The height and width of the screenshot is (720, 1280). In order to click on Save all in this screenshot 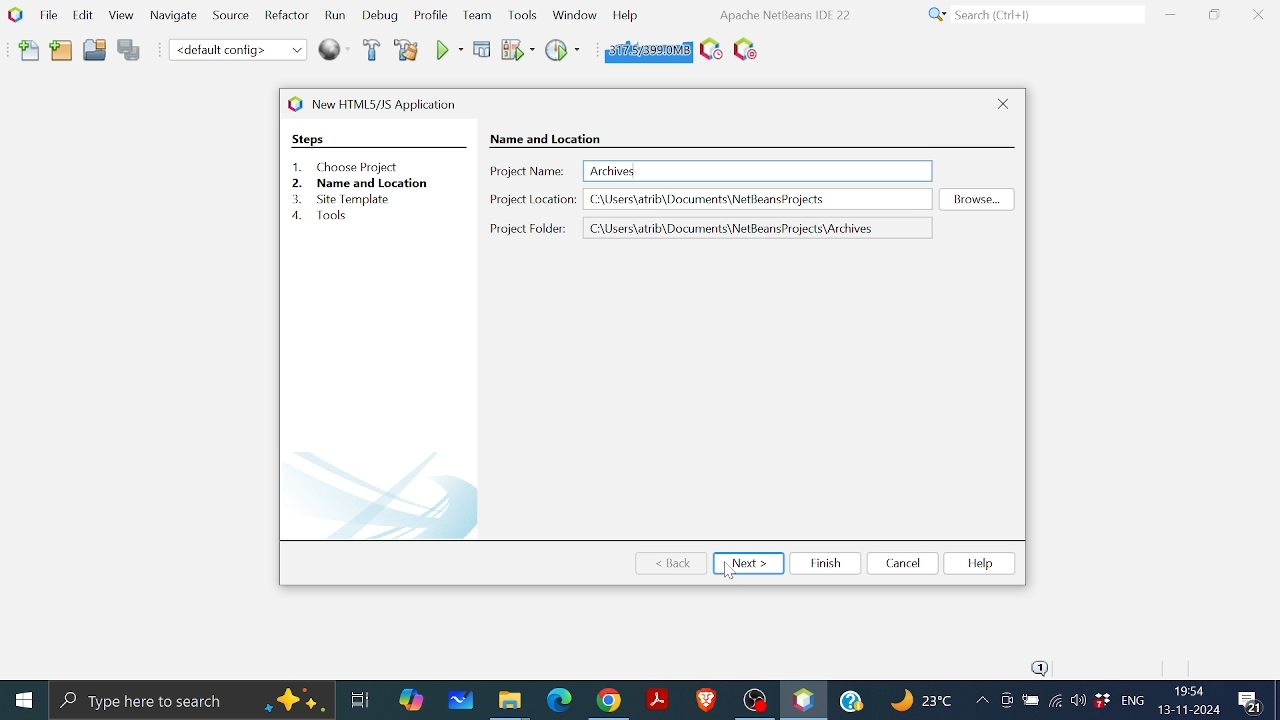, I will do `click(129, 51)`.